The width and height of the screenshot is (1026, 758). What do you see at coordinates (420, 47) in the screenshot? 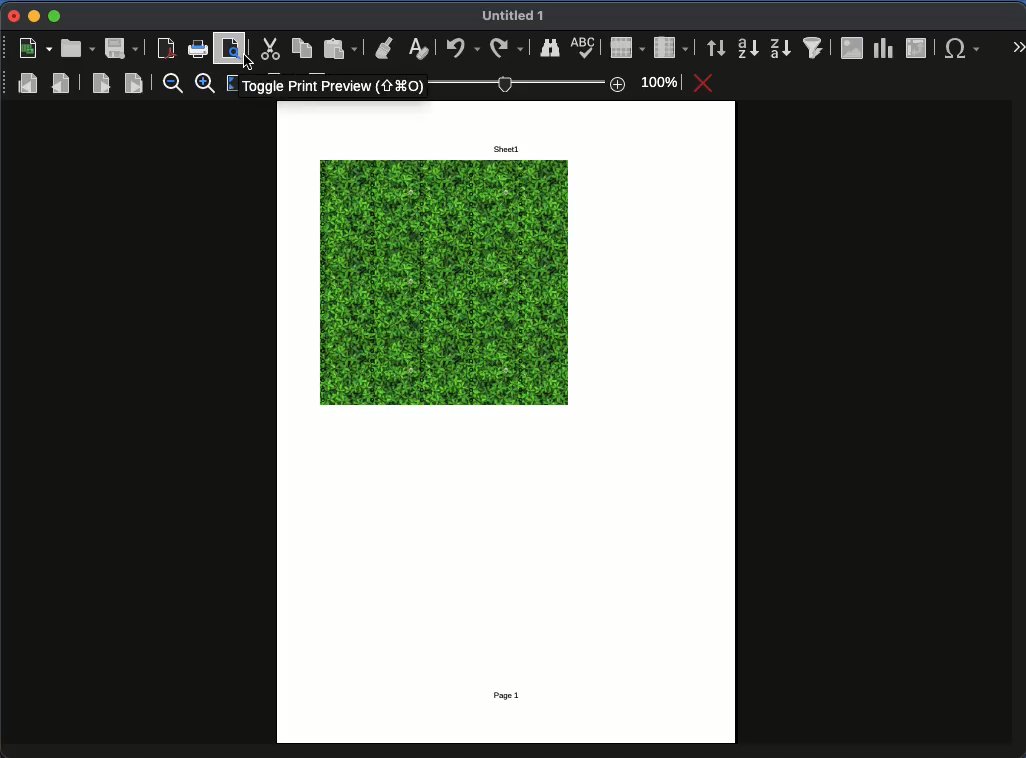
I see `clear formatting` at bounding box center [420, 47].